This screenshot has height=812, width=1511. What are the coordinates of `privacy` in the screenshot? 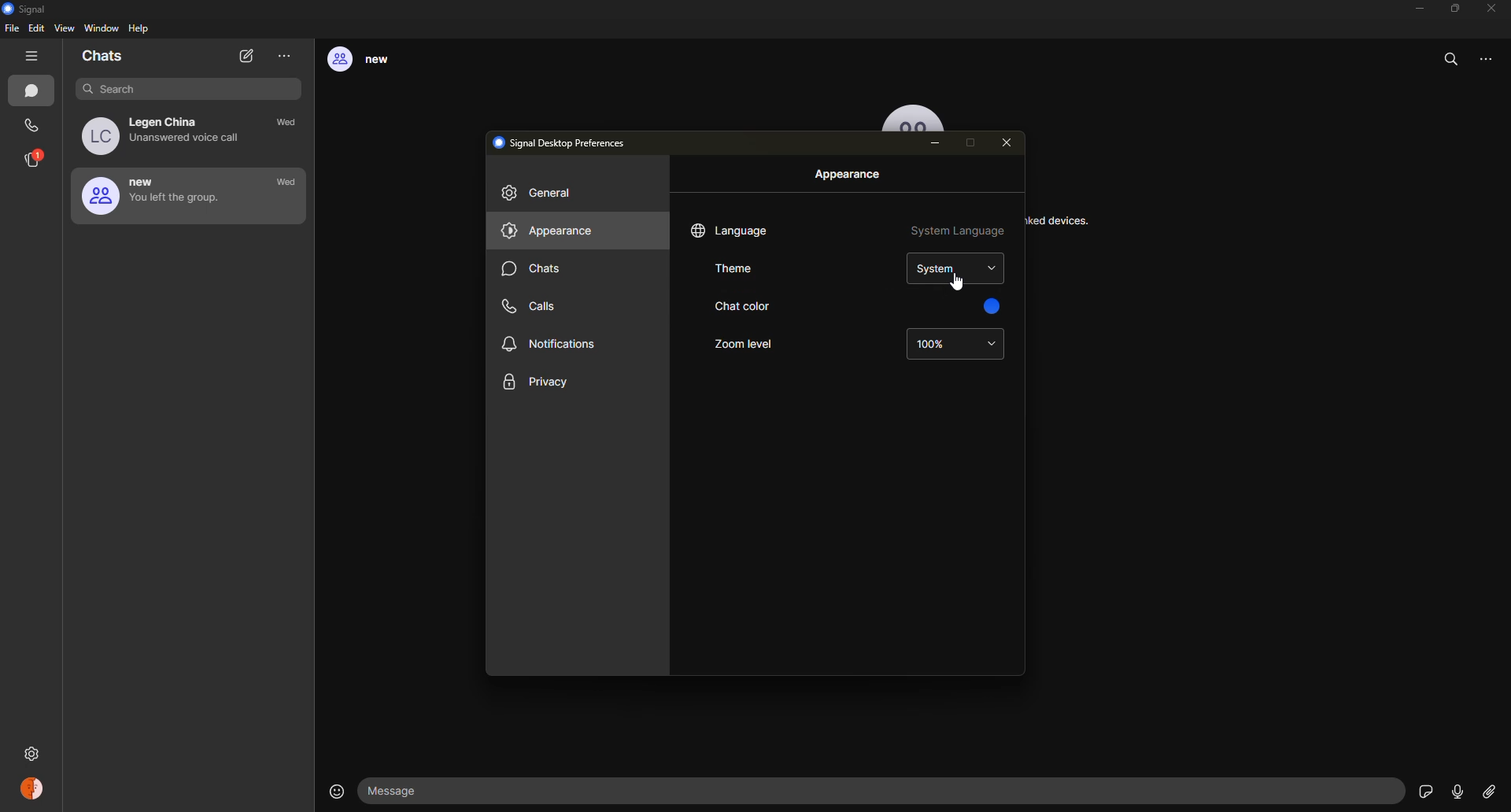 It's located at (537, 383).